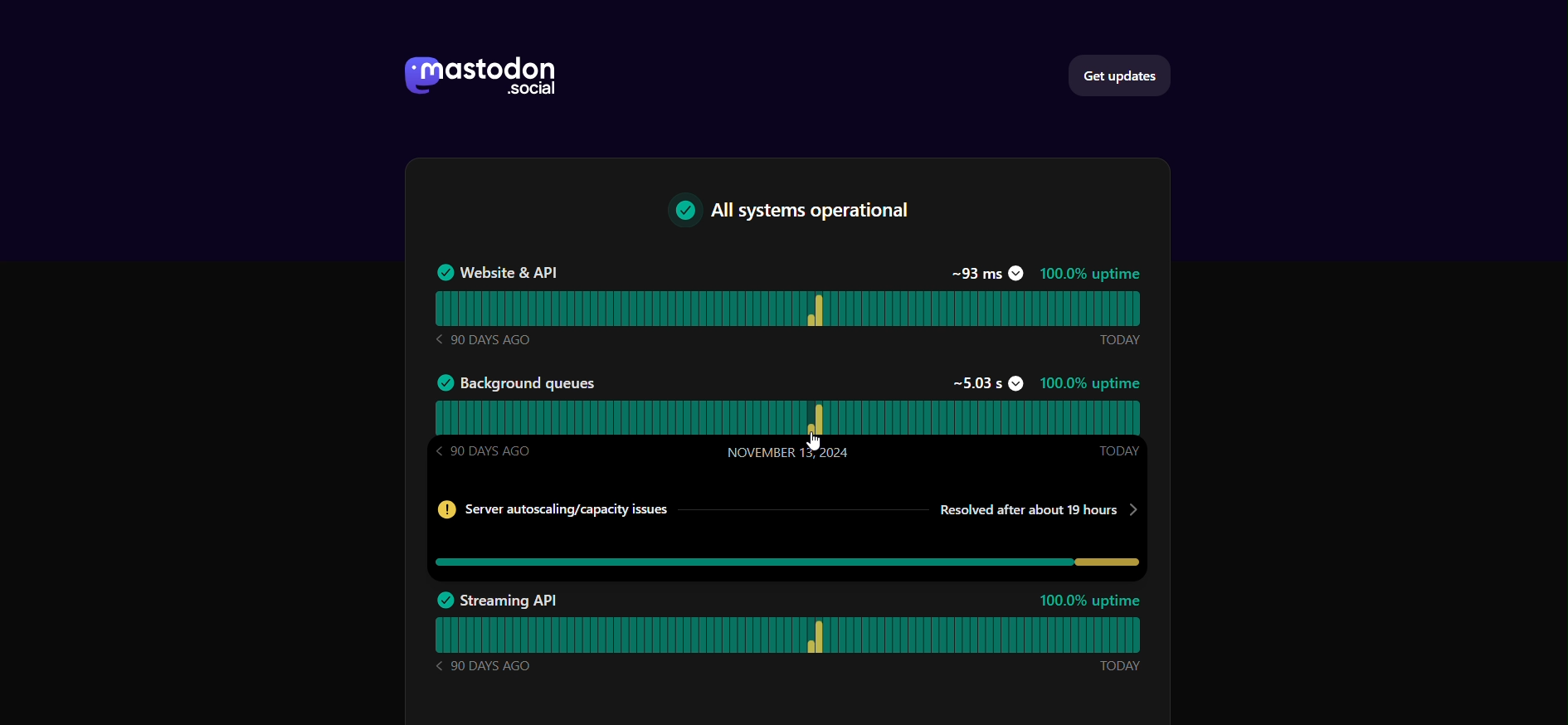  Describe the element at coordinates (480, 452) in the screenshot. I see `90 DAYS AGO` at that location.